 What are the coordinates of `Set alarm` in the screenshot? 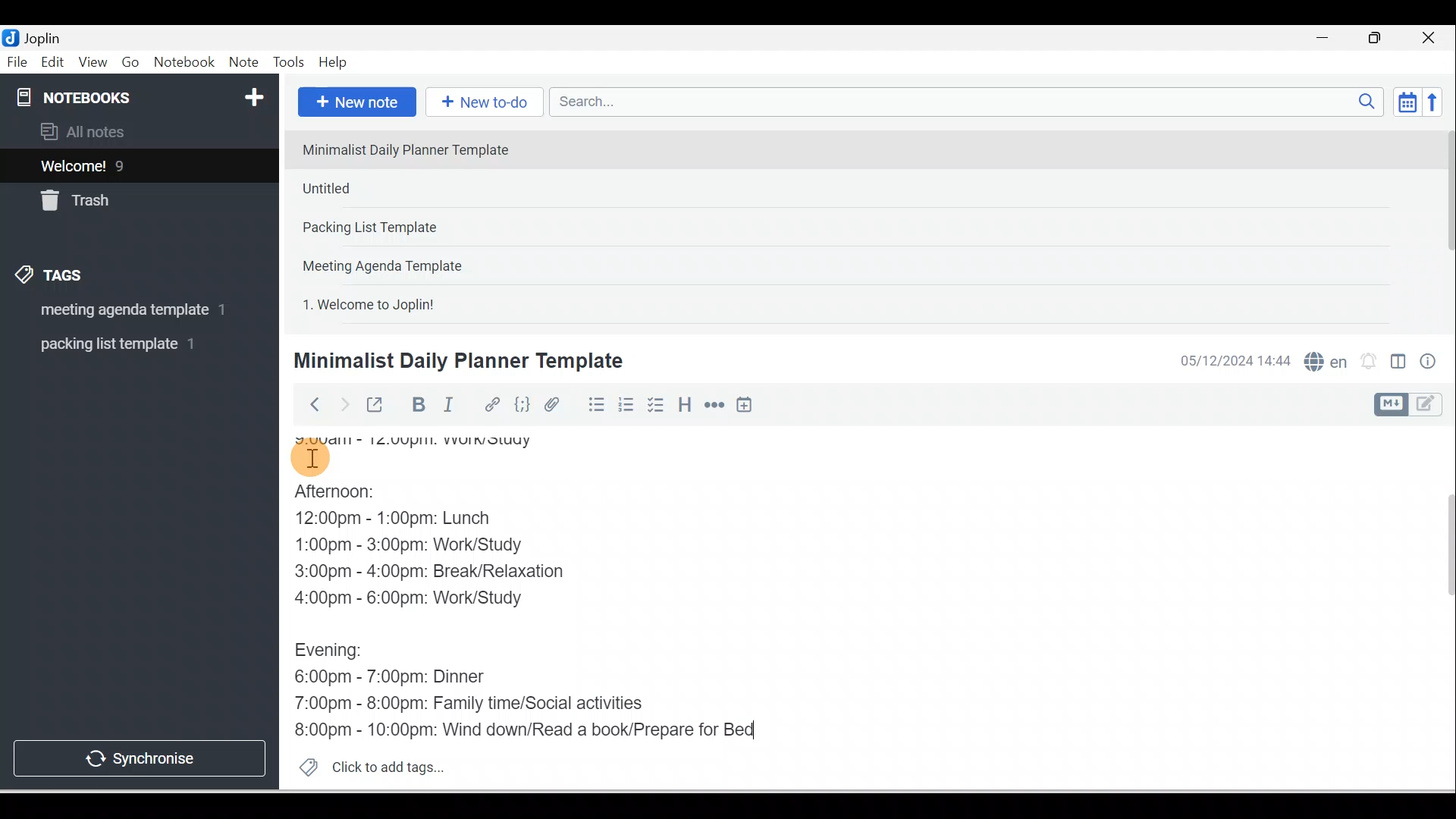 It's located at (1367, 362).